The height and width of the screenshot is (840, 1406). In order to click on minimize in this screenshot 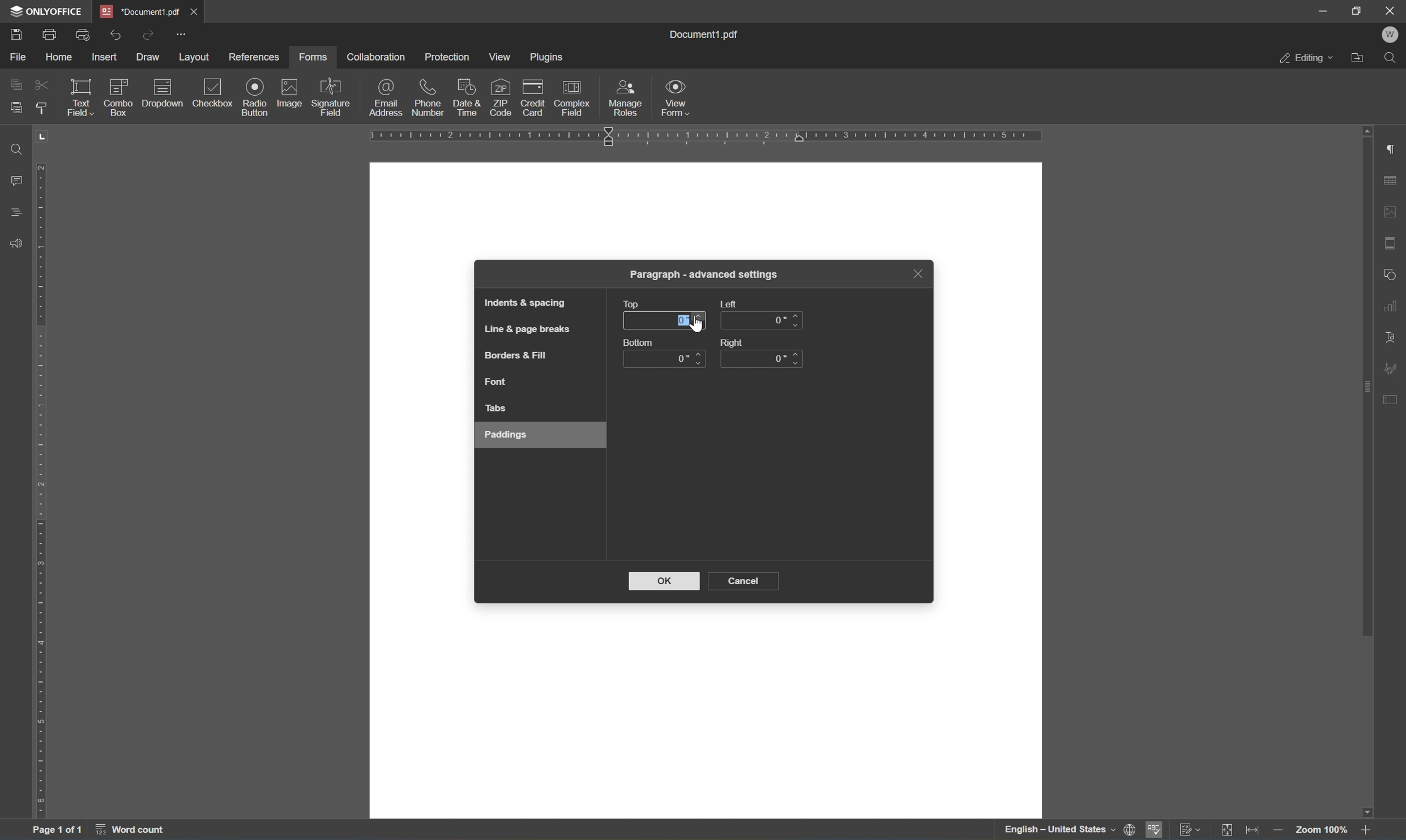, I will do `click(1323, 10)`.